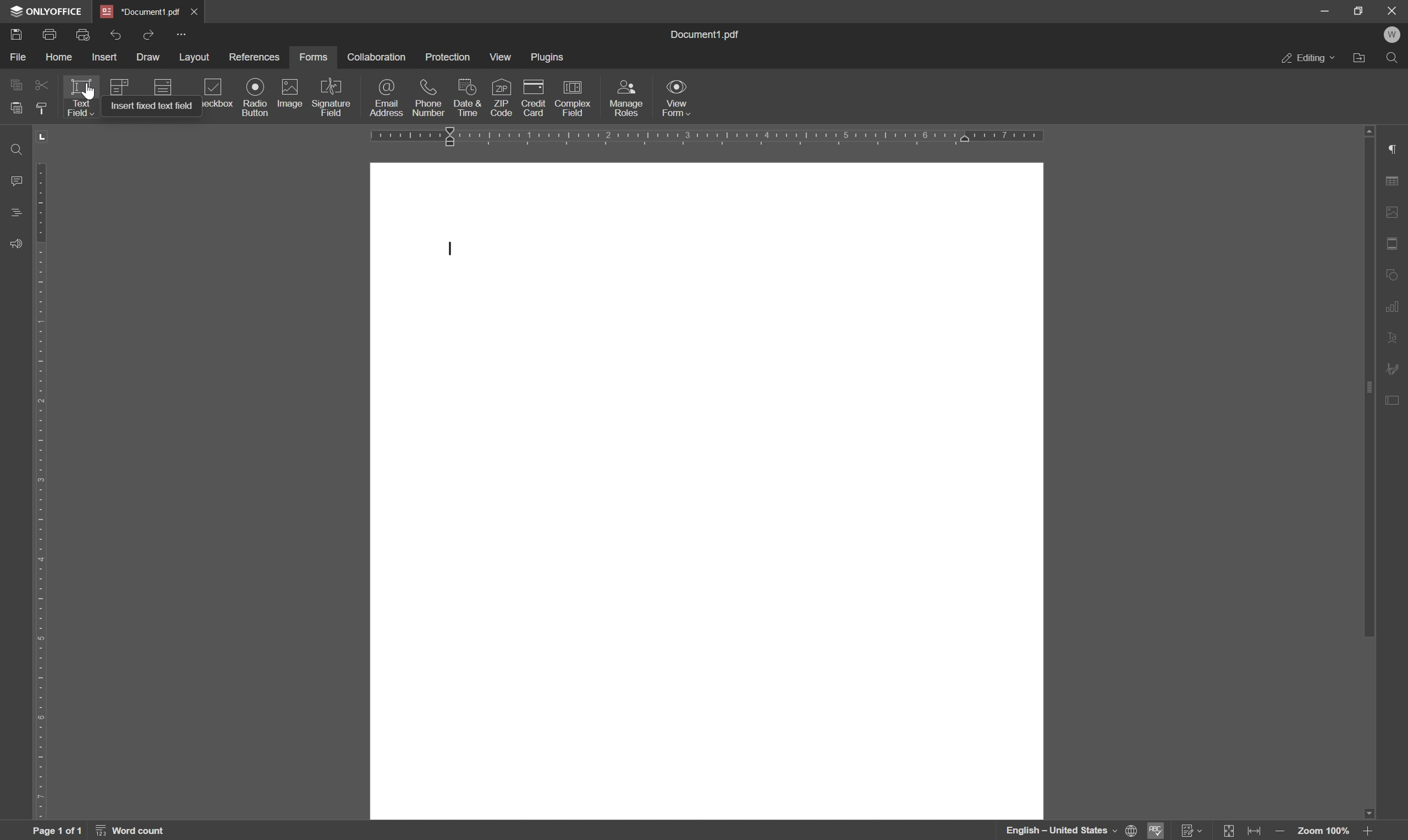 The height and width of the screenshot is (840, 1408). Describe the element at coordinates (1325, 12) in the screenshot. I see `minimize` at that location.